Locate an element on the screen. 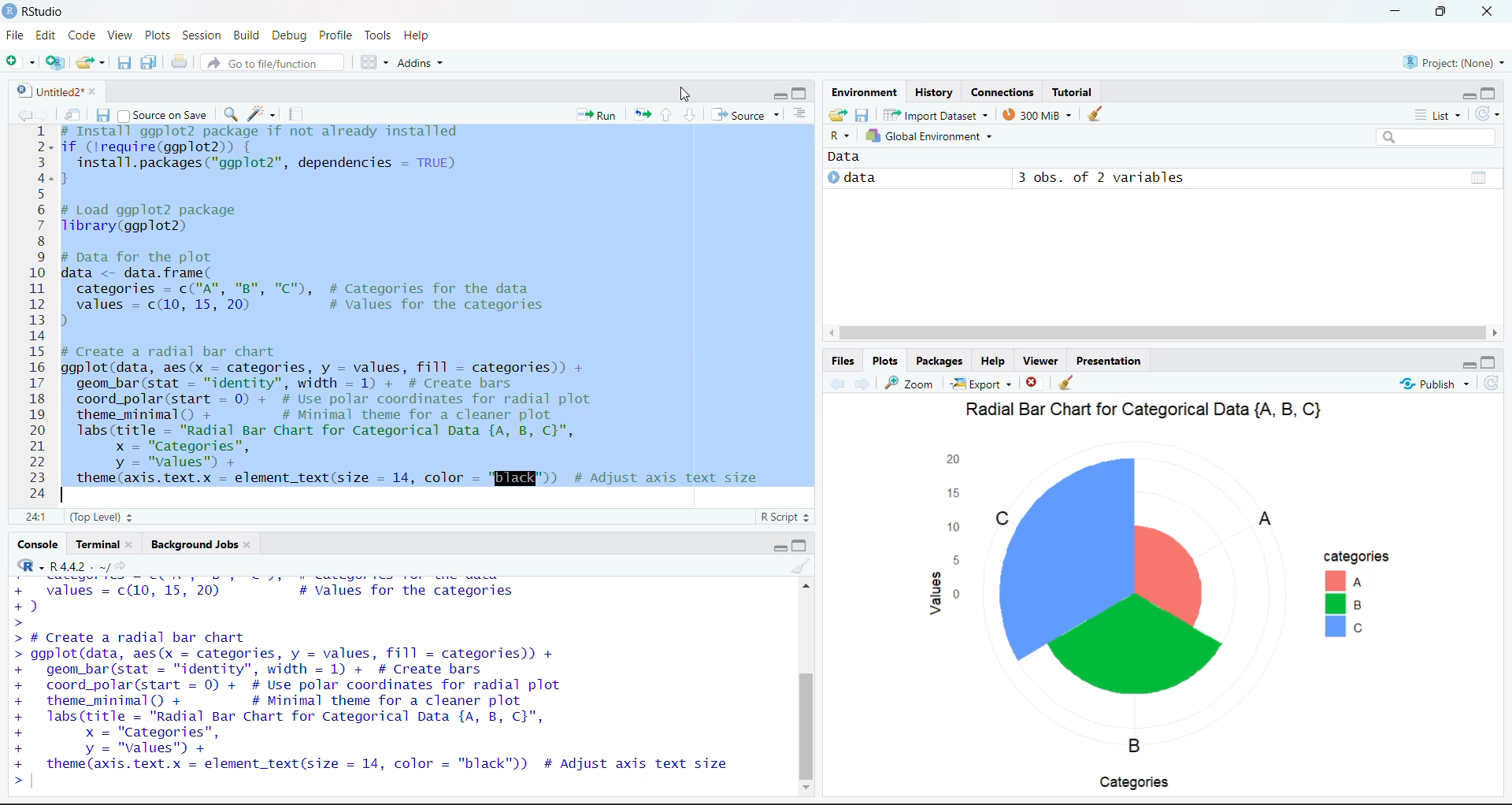 The width and height of the screenshot is (1512, 805). hide r  script is located at coordinates (1464, 95).